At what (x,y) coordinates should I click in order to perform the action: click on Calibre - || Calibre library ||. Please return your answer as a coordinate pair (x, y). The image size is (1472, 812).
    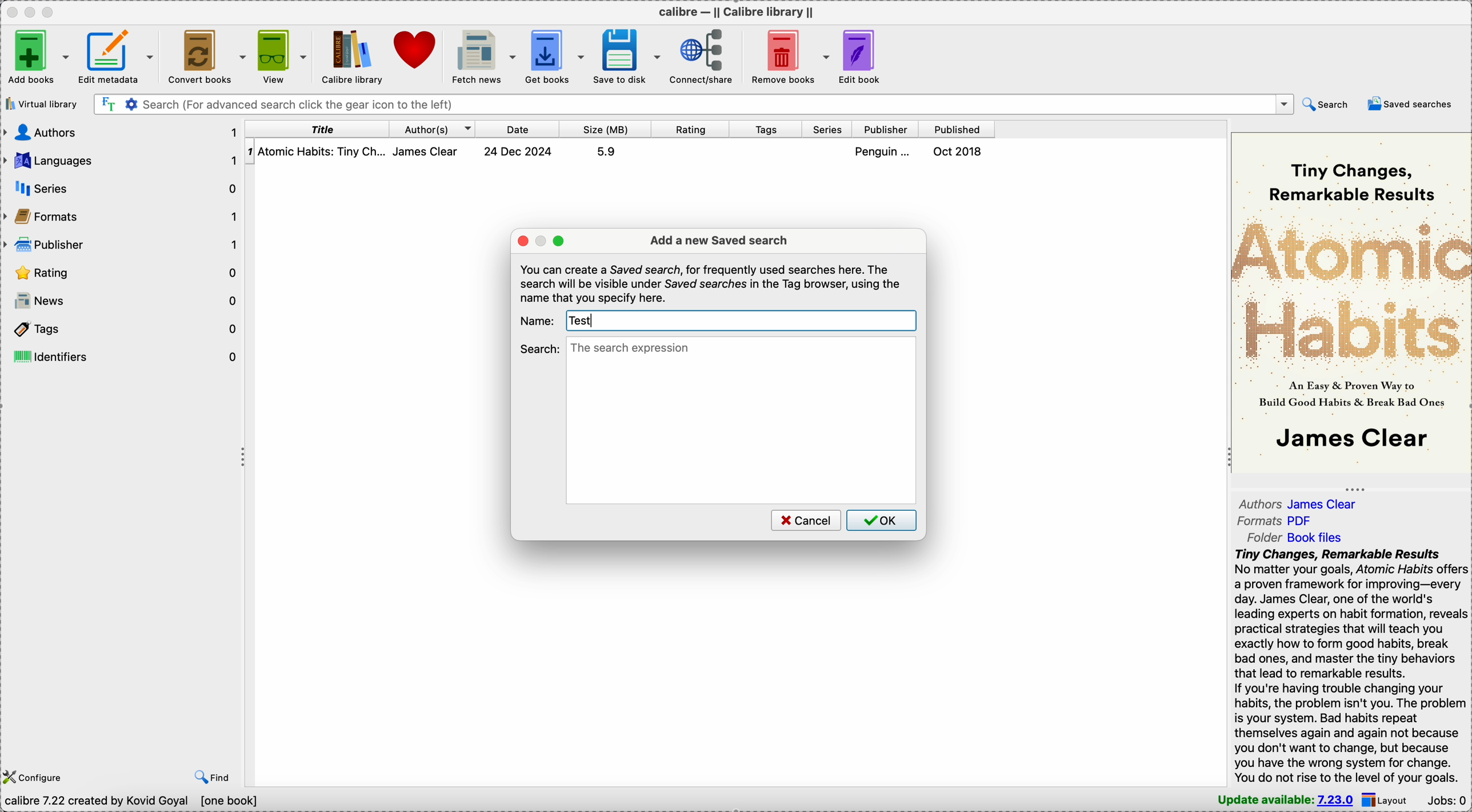
    Looking at the image, I should click on (734, 11).